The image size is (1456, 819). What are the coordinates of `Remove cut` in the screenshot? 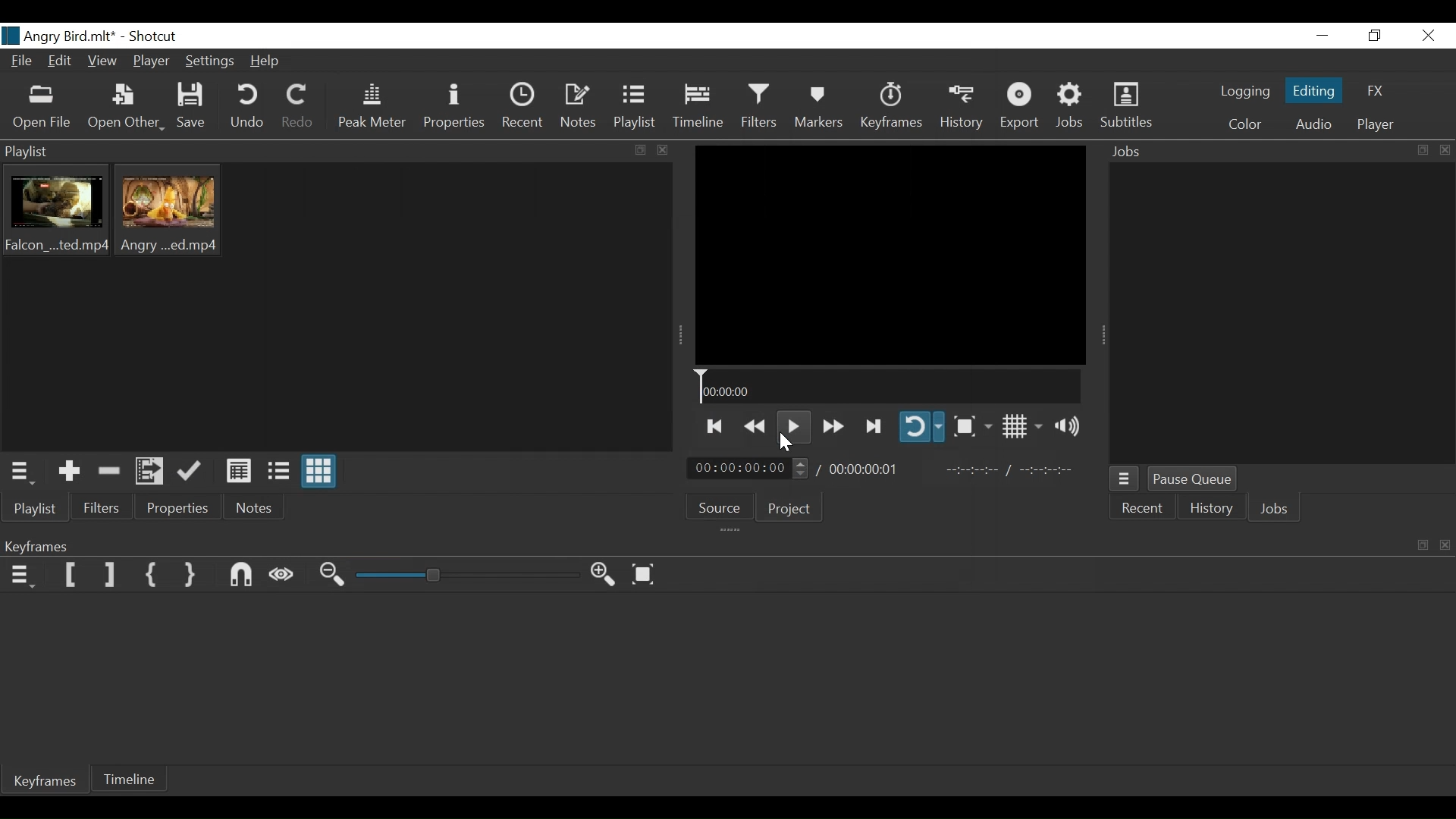 It's located at (110, 471).